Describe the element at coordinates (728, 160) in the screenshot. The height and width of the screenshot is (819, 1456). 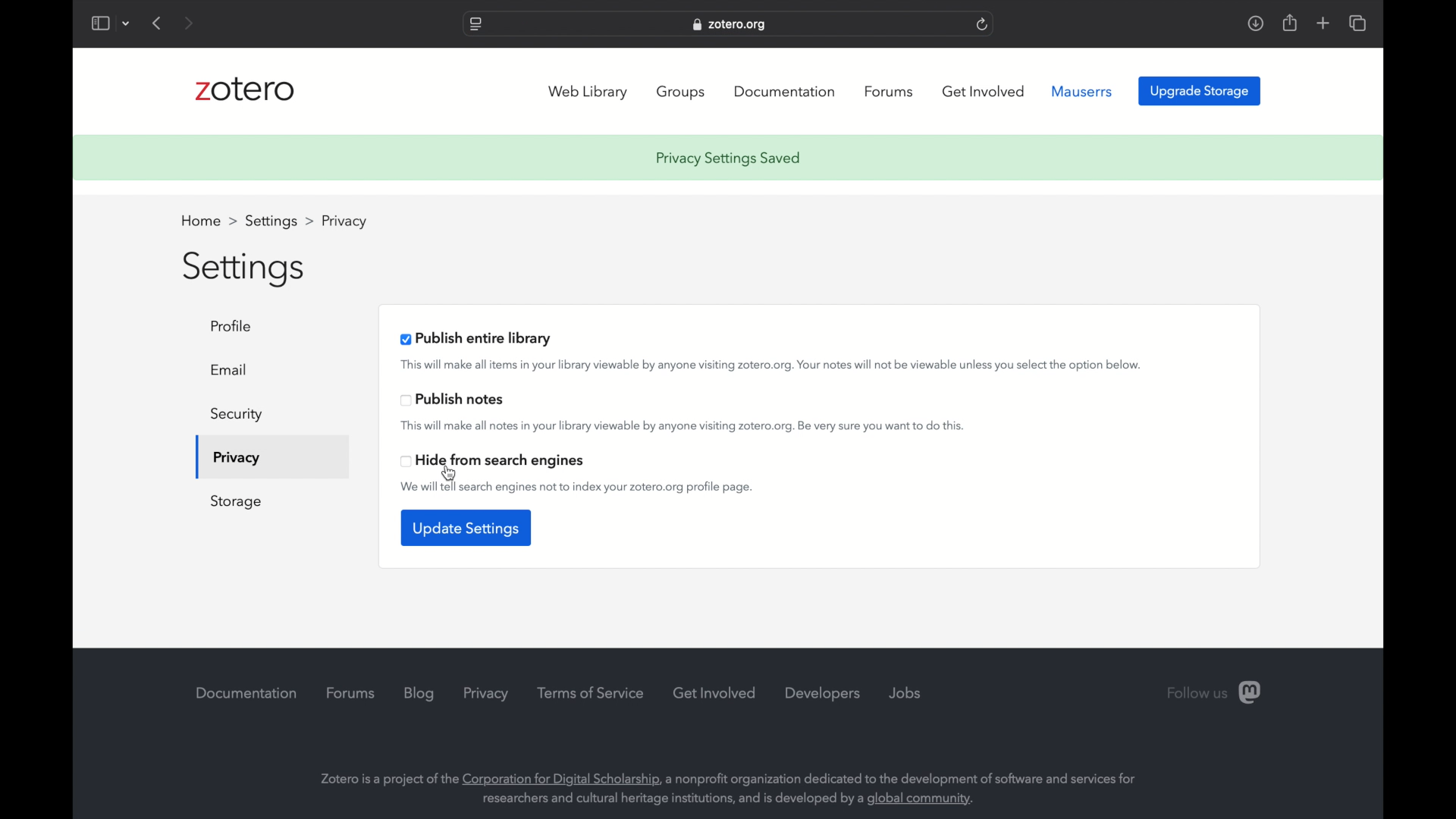
I see `privacy settings saved` at that location.